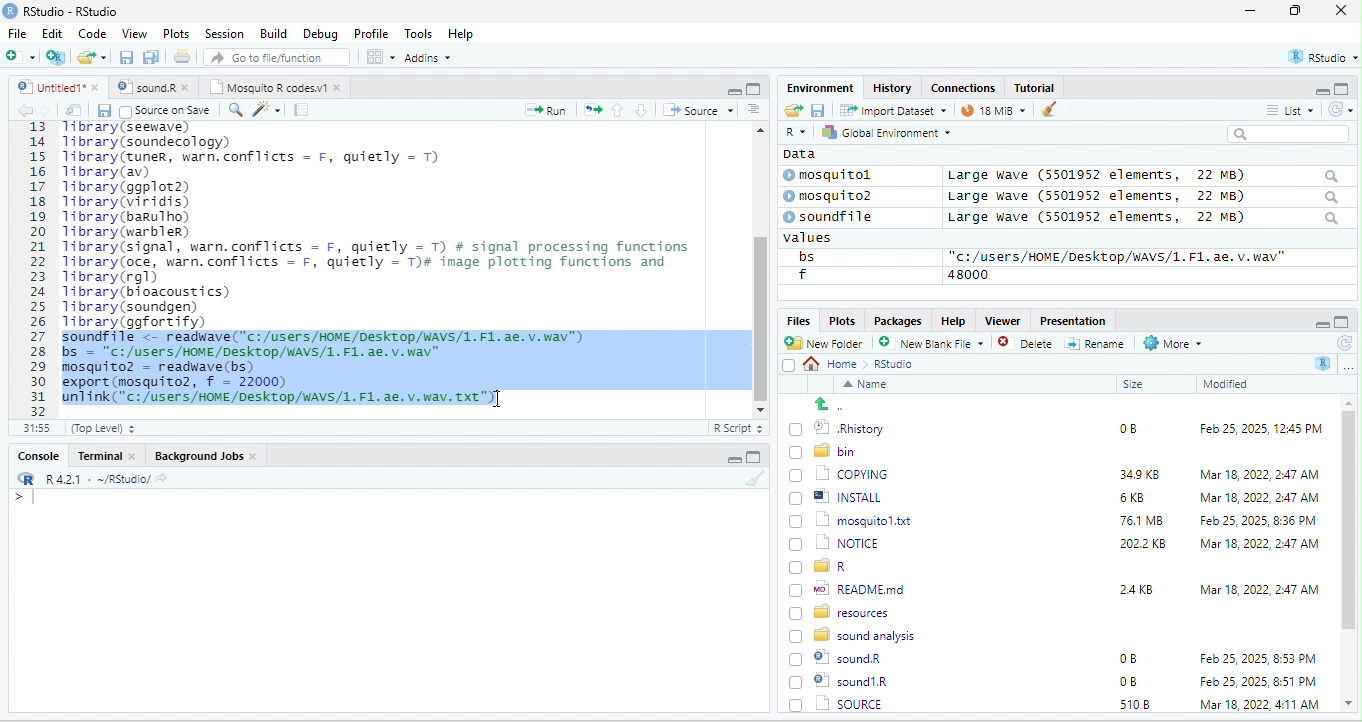  Describe the element at coordinates (177, 33) in the screenshot. I see `Plots` at that location.